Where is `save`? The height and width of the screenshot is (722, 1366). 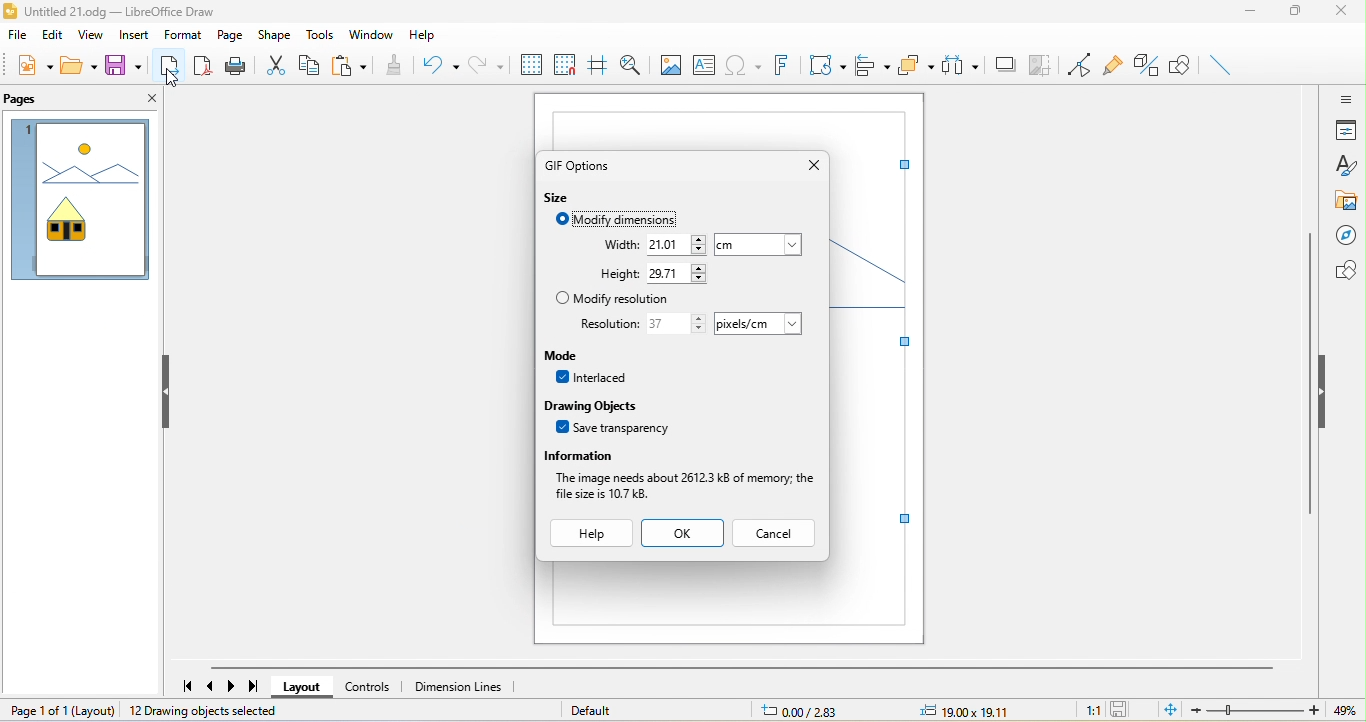 save is located at coordinates (121, 64).